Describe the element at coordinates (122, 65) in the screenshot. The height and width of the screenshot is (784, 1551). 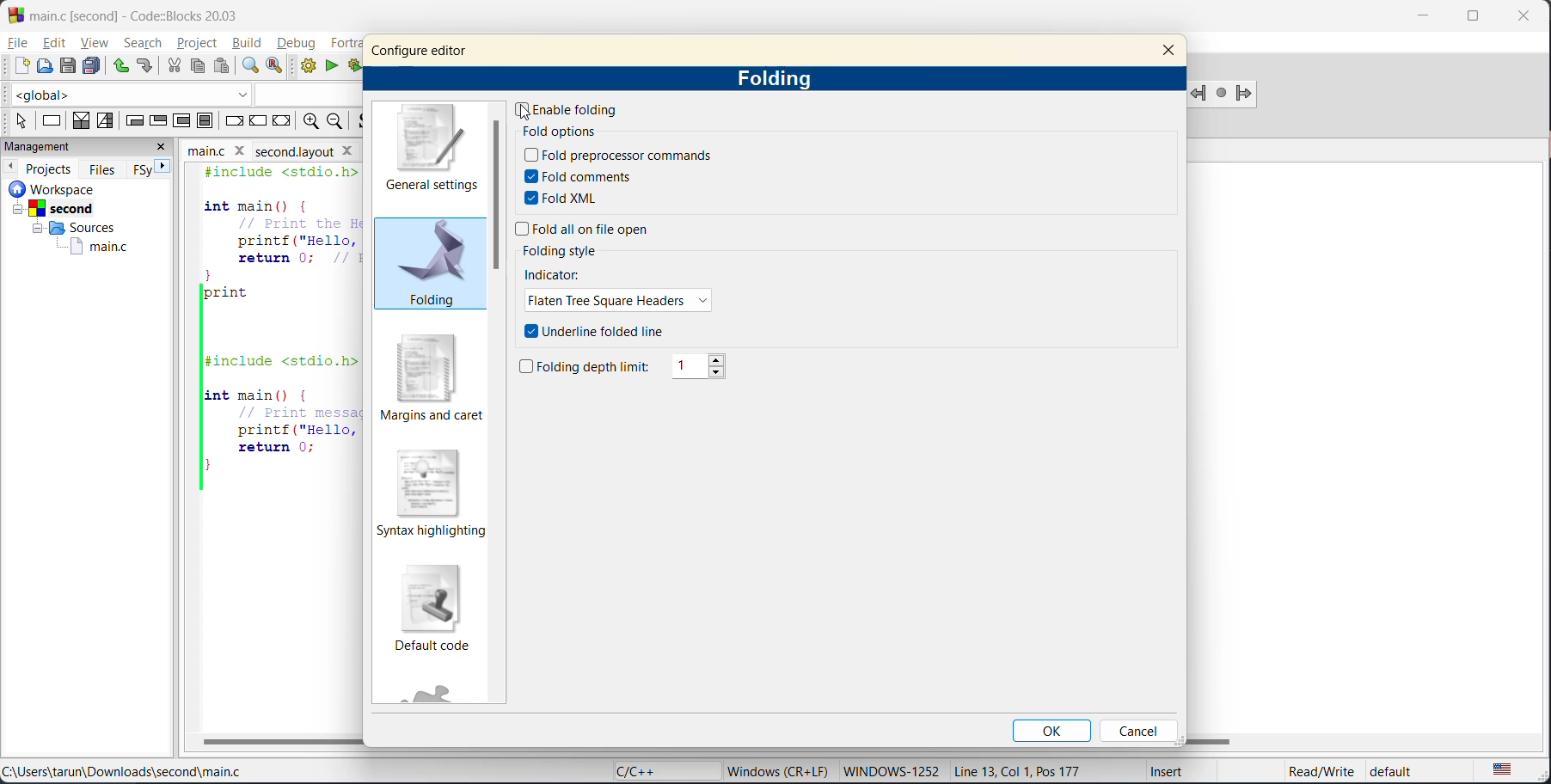
I see `undo` at that location.